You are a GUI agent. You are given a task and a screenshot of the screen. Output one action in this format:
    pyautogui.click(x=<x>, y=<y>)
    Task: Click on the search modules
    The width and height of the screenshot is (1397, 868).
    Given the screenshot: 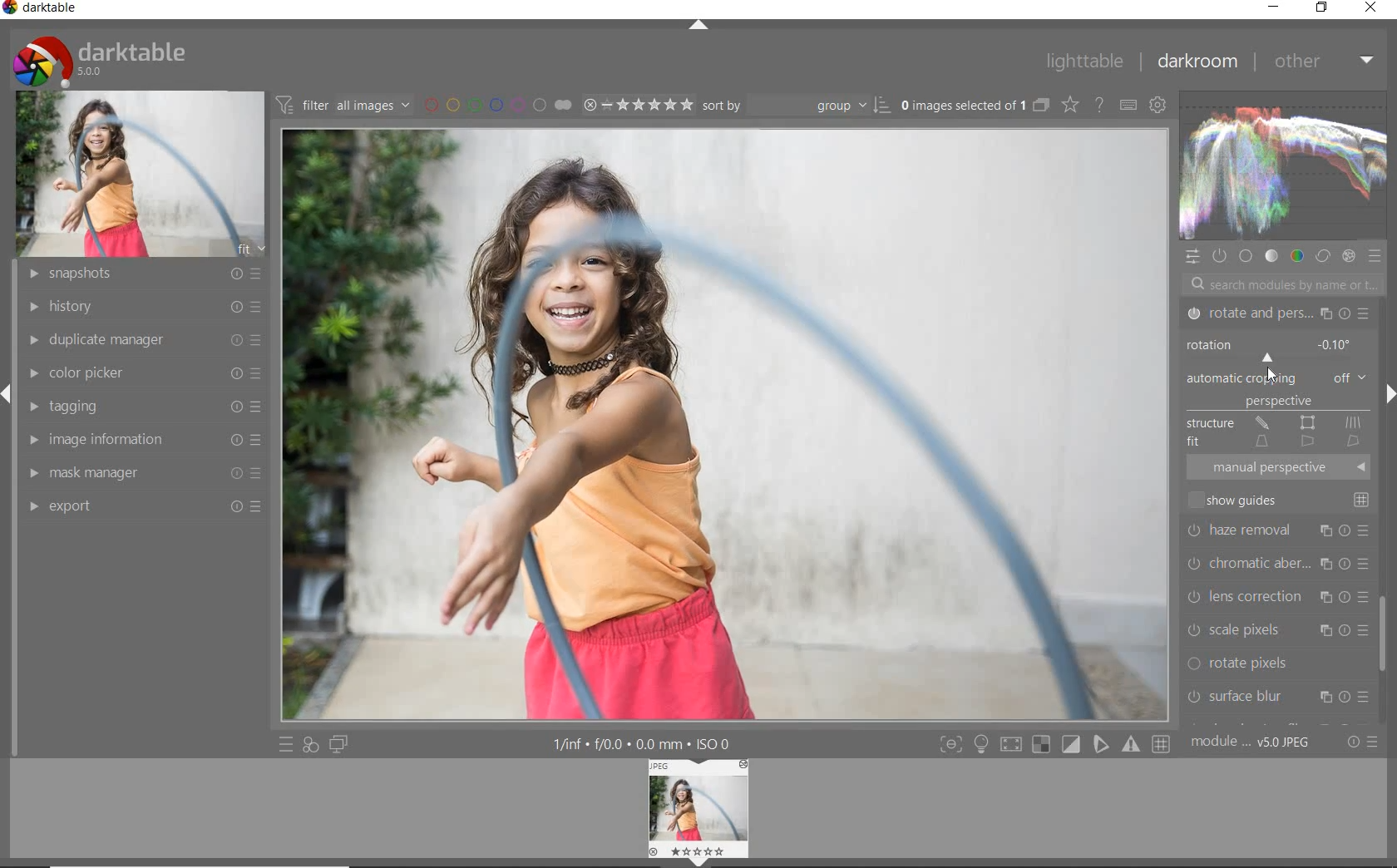 What is the action you would take?
    pyautogui.click(x=1277, y=286)
    